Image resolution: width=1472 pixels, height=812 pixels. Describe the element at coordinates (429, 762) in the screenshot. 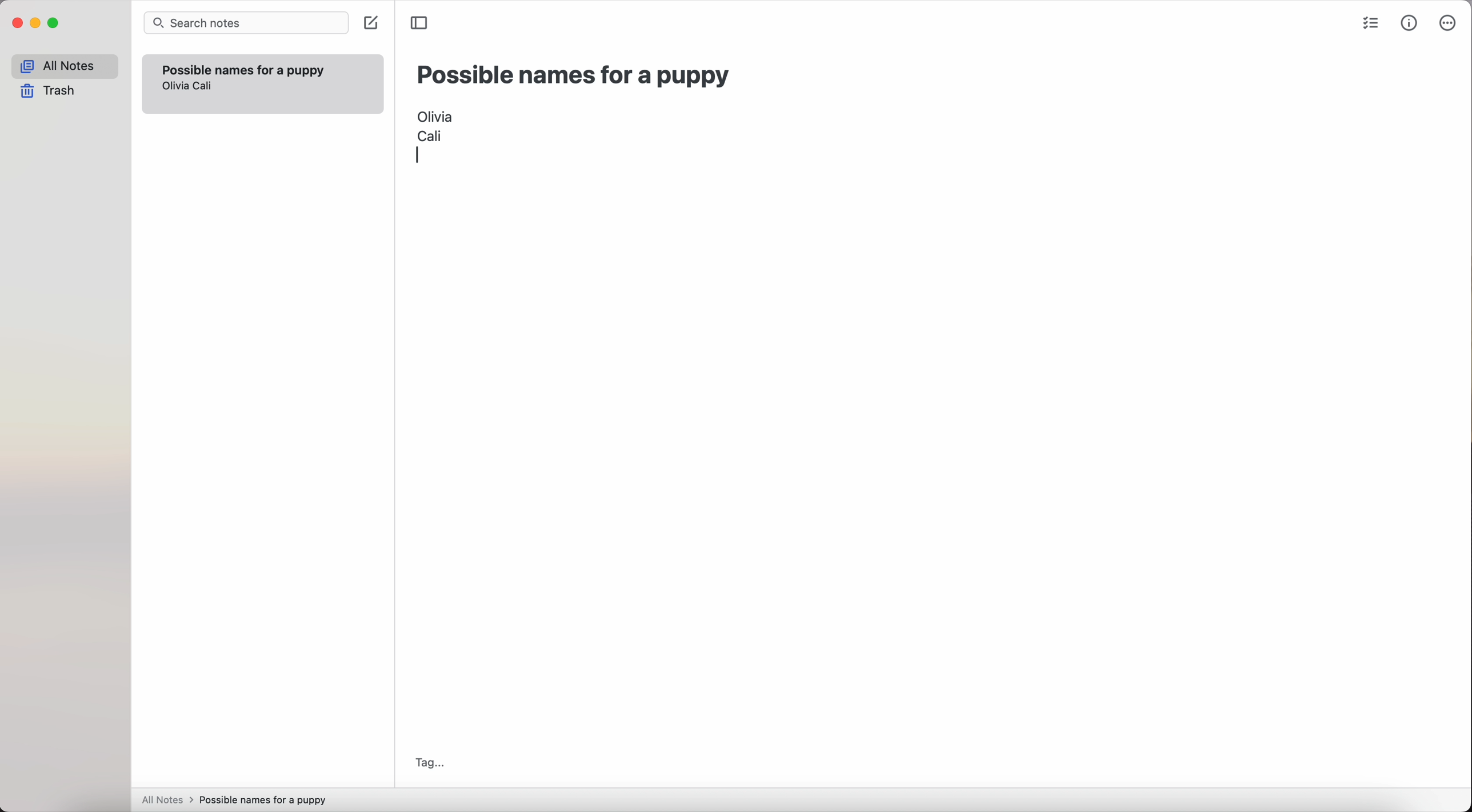

I see `tag` at that location.